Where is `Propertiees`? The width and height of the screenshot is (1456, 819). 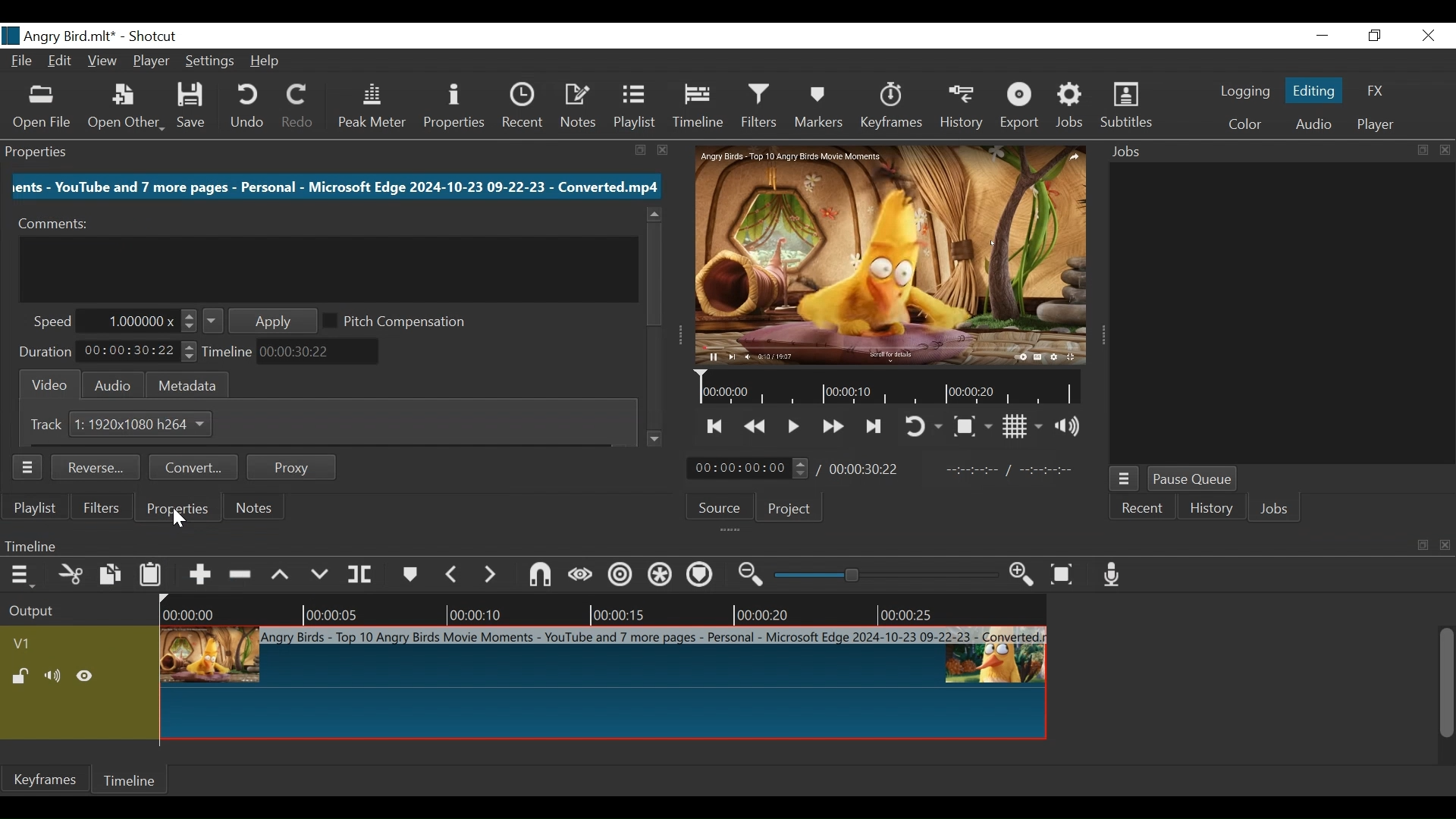 Propertiees is located at coordinates (177, 509).